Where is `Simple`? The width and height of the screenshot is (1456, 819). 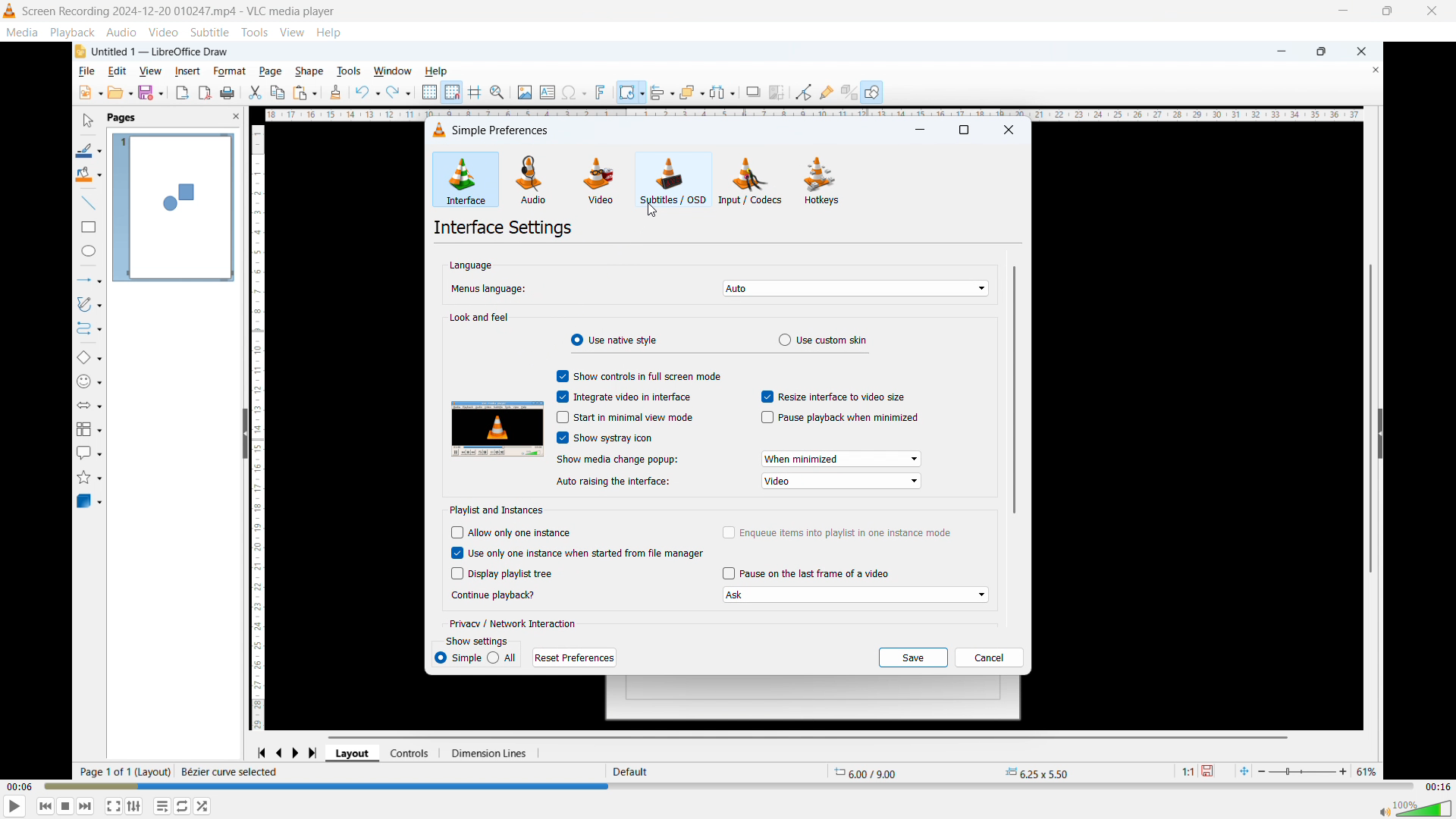
Simple is located at coordinates (457, 660).